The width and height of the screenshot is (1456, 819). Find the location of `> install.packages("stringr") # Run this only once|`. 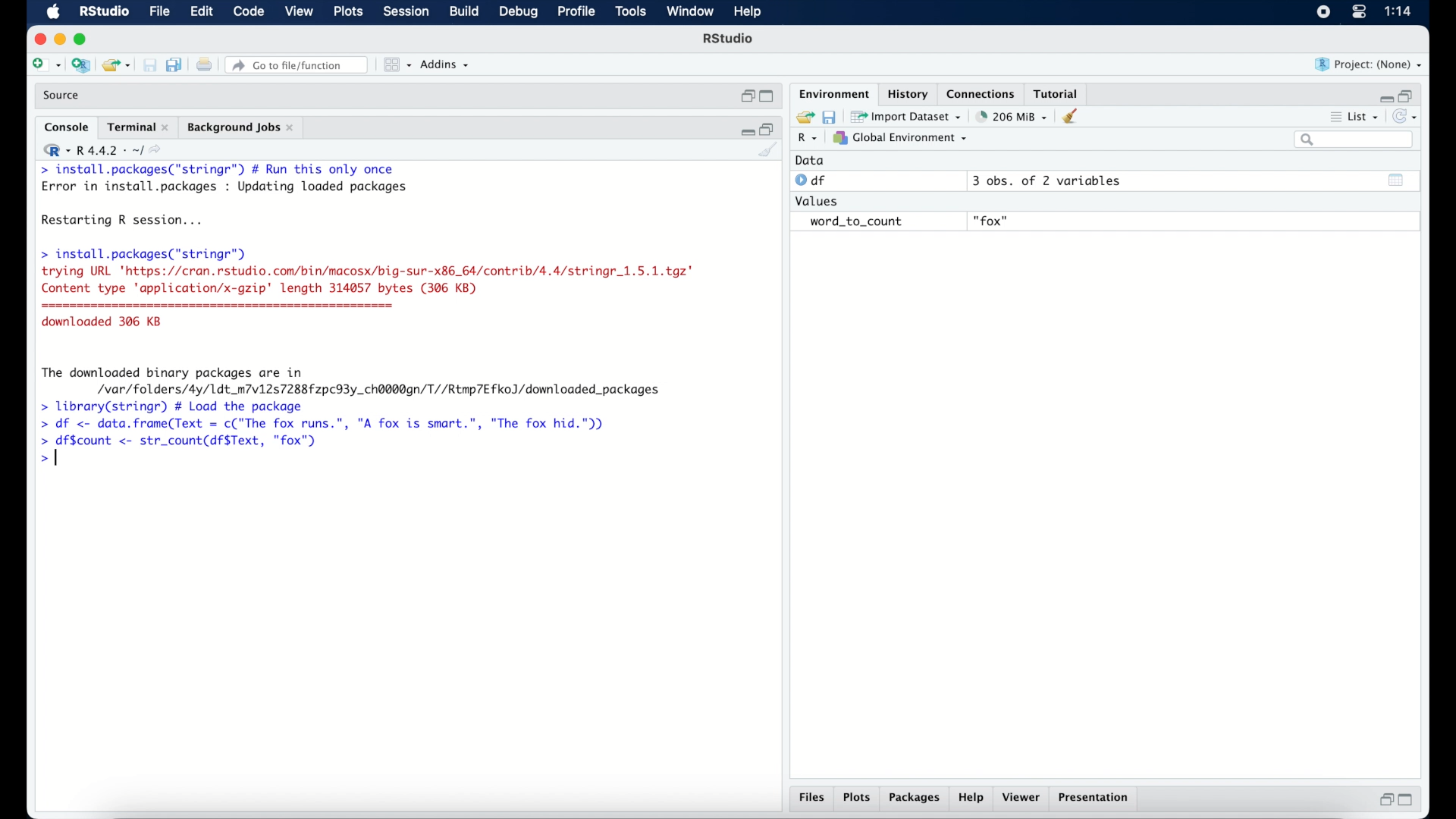

> install.packages("stringr") # Run this only once| is located at coordinates (221, 170).